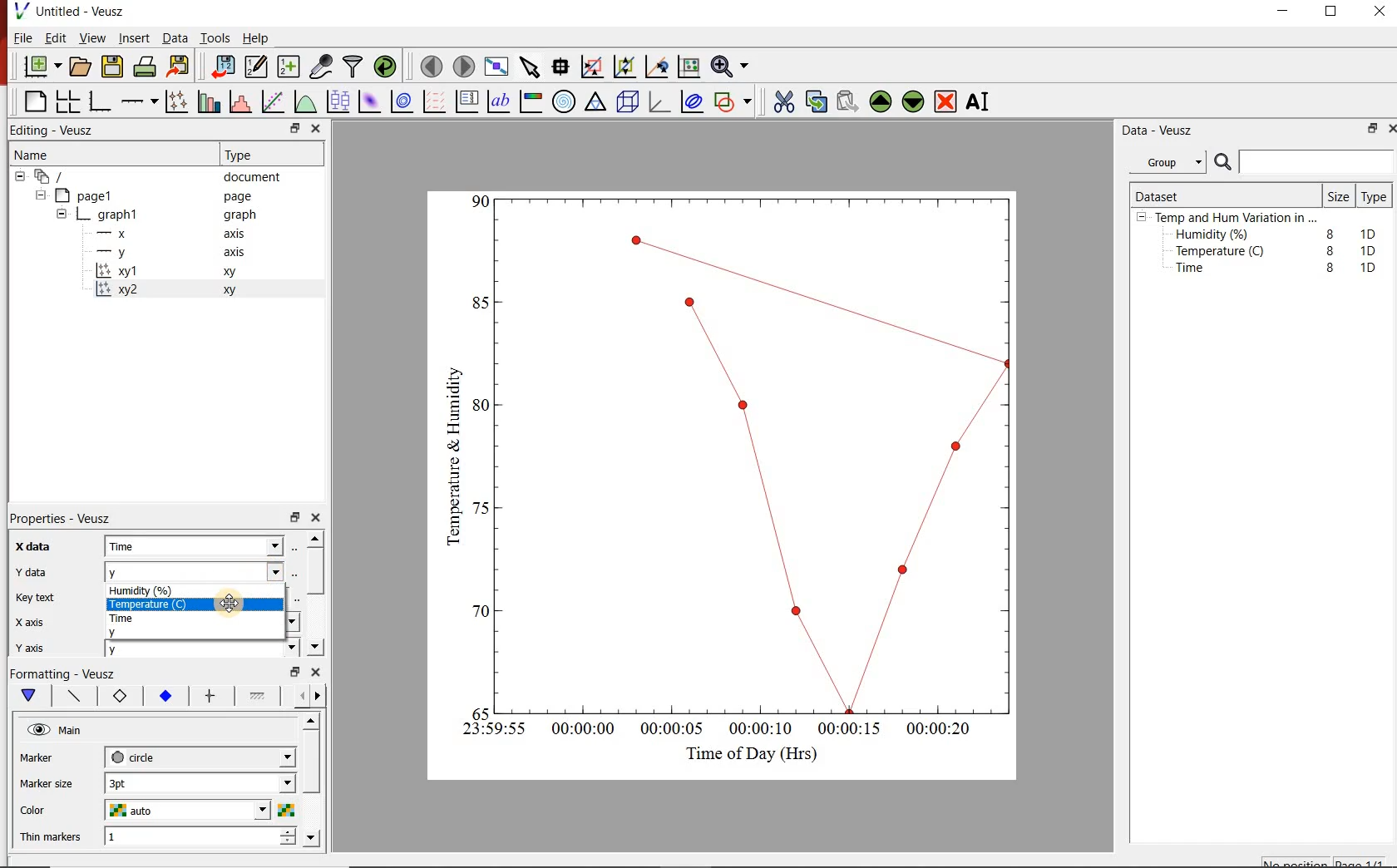  I want to click on Temperature (C), so click(1223, 253).